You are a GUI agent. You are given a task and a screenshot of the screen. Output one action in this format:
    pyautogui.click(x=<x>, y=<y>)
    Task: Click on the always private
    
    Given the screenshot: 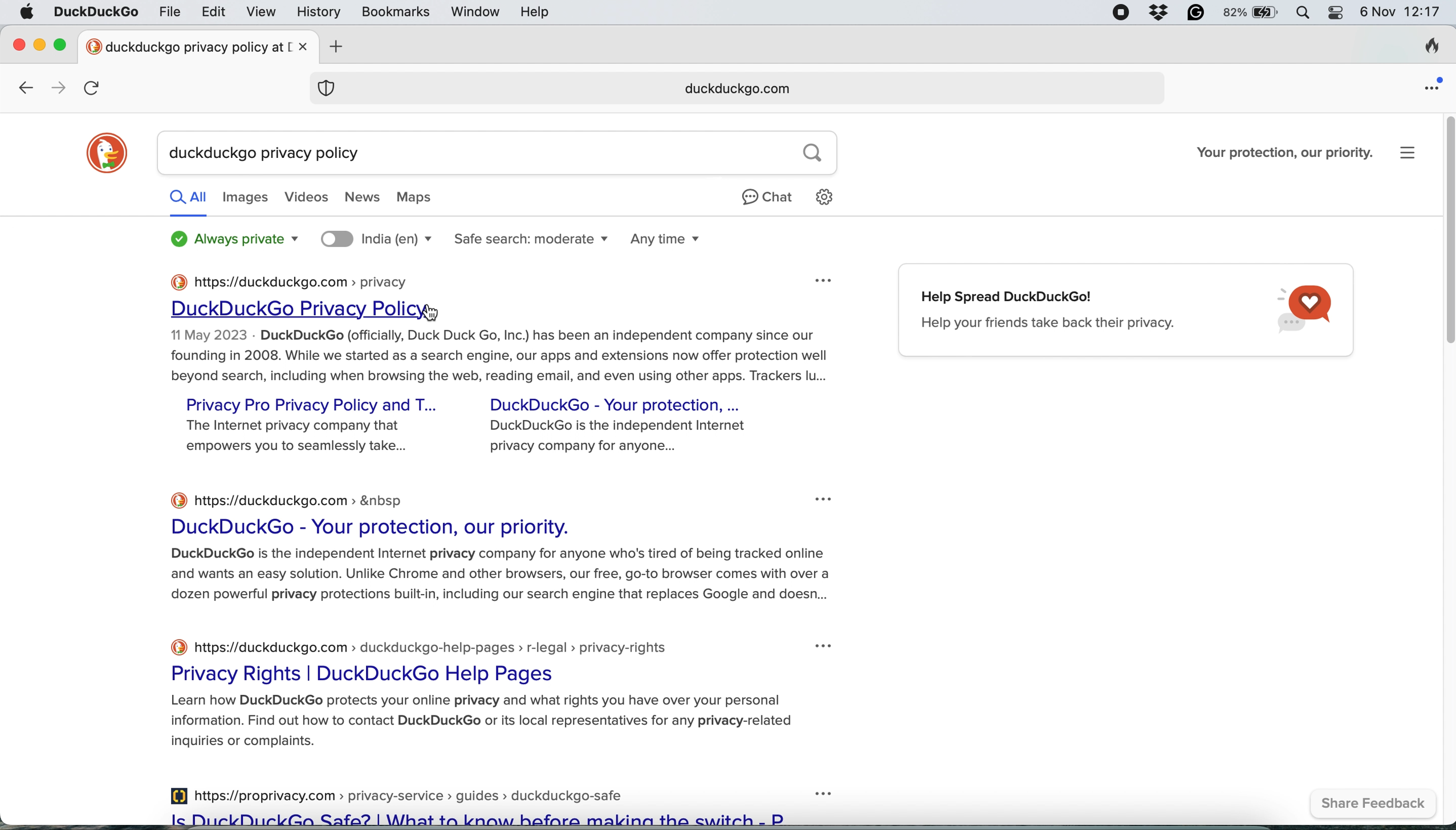 What is the action you would take?
    pyautogui.click(x=223, y=238)
    